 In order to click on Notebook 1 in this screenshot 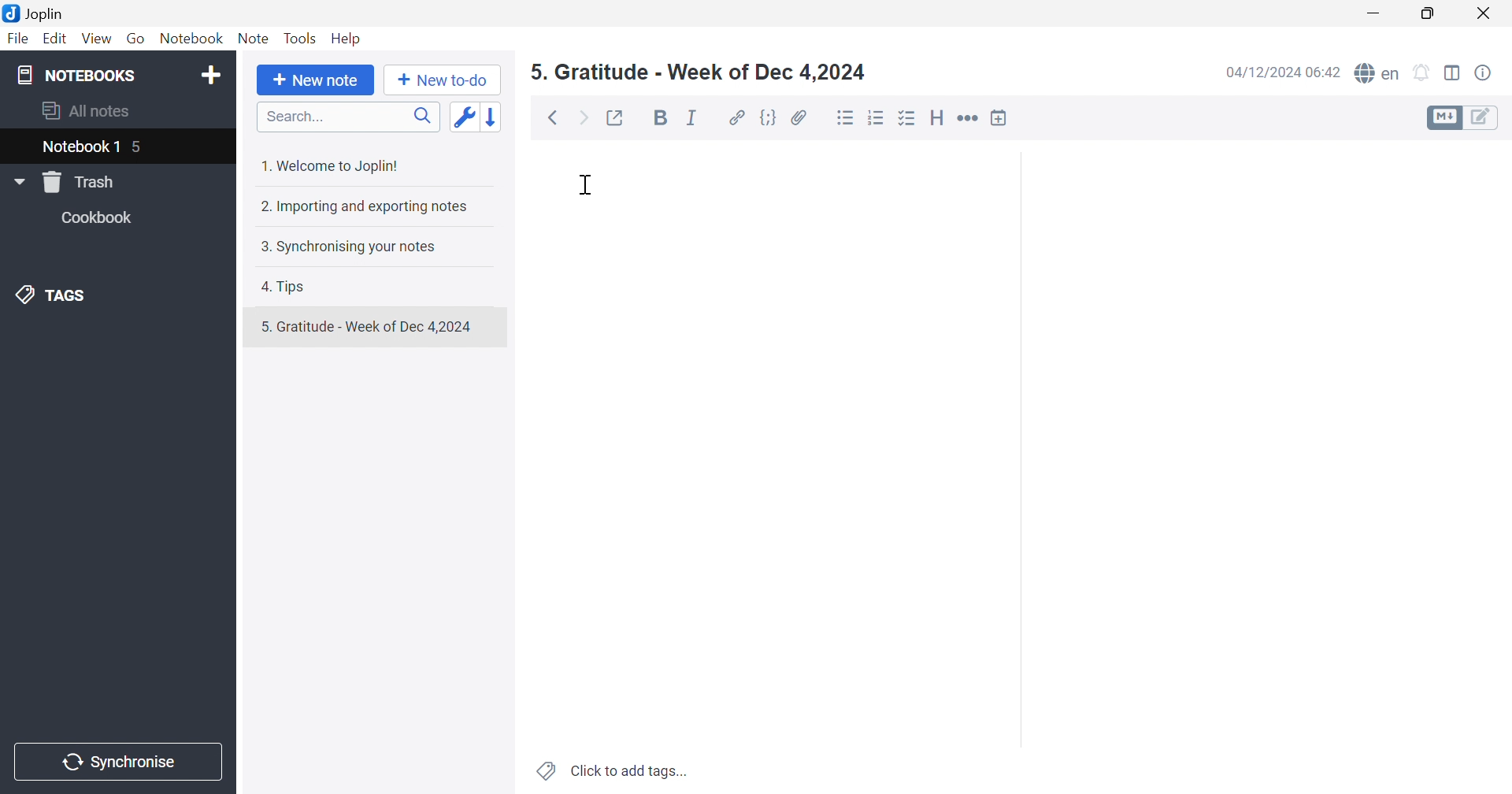, I will do `click(80, 149)`.